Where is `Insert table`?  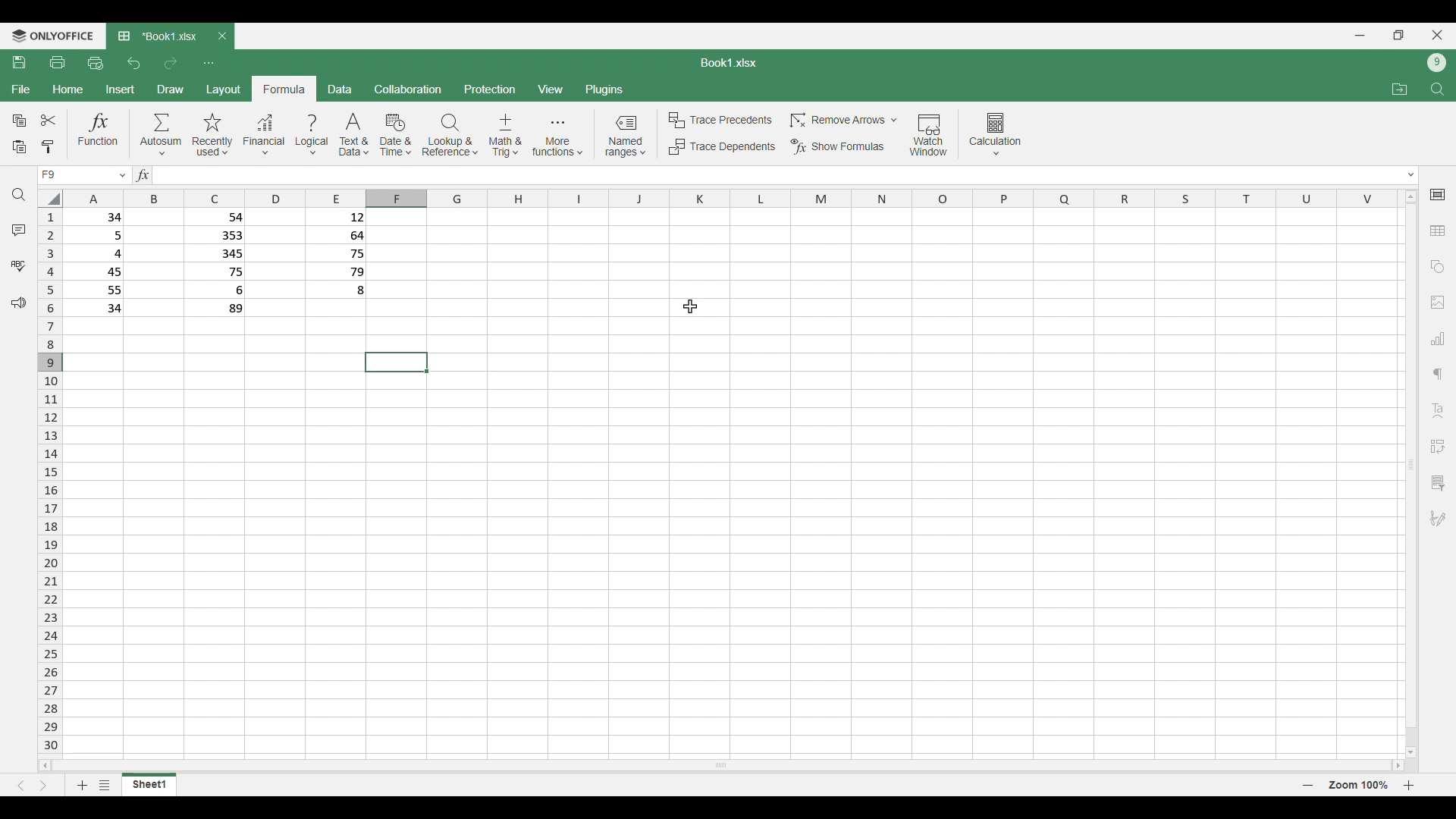 Insert table is located at coordinates (1438, 231).